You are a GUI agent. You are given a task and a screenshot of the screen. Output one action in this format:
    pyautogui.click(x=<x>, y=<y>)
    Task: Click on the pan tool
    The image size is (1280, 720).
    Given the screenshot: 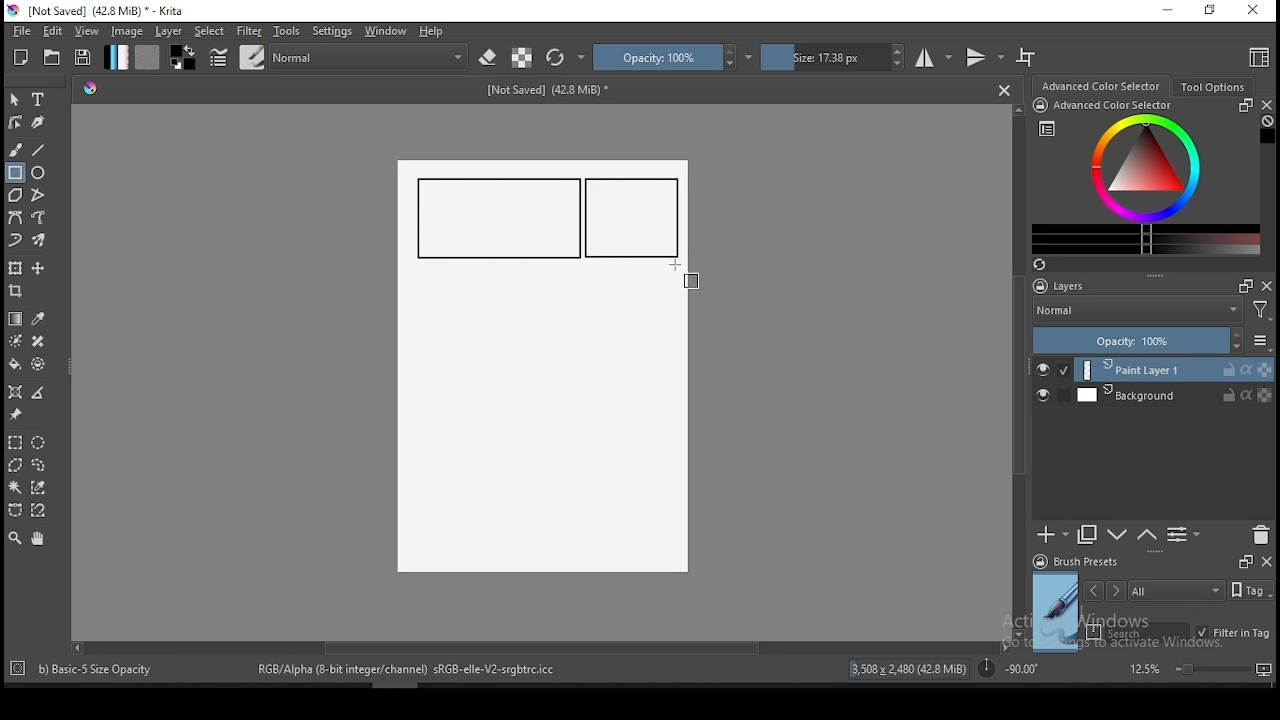 What is the action you would take?
    pyautogui.click(x=36, y=539)
    